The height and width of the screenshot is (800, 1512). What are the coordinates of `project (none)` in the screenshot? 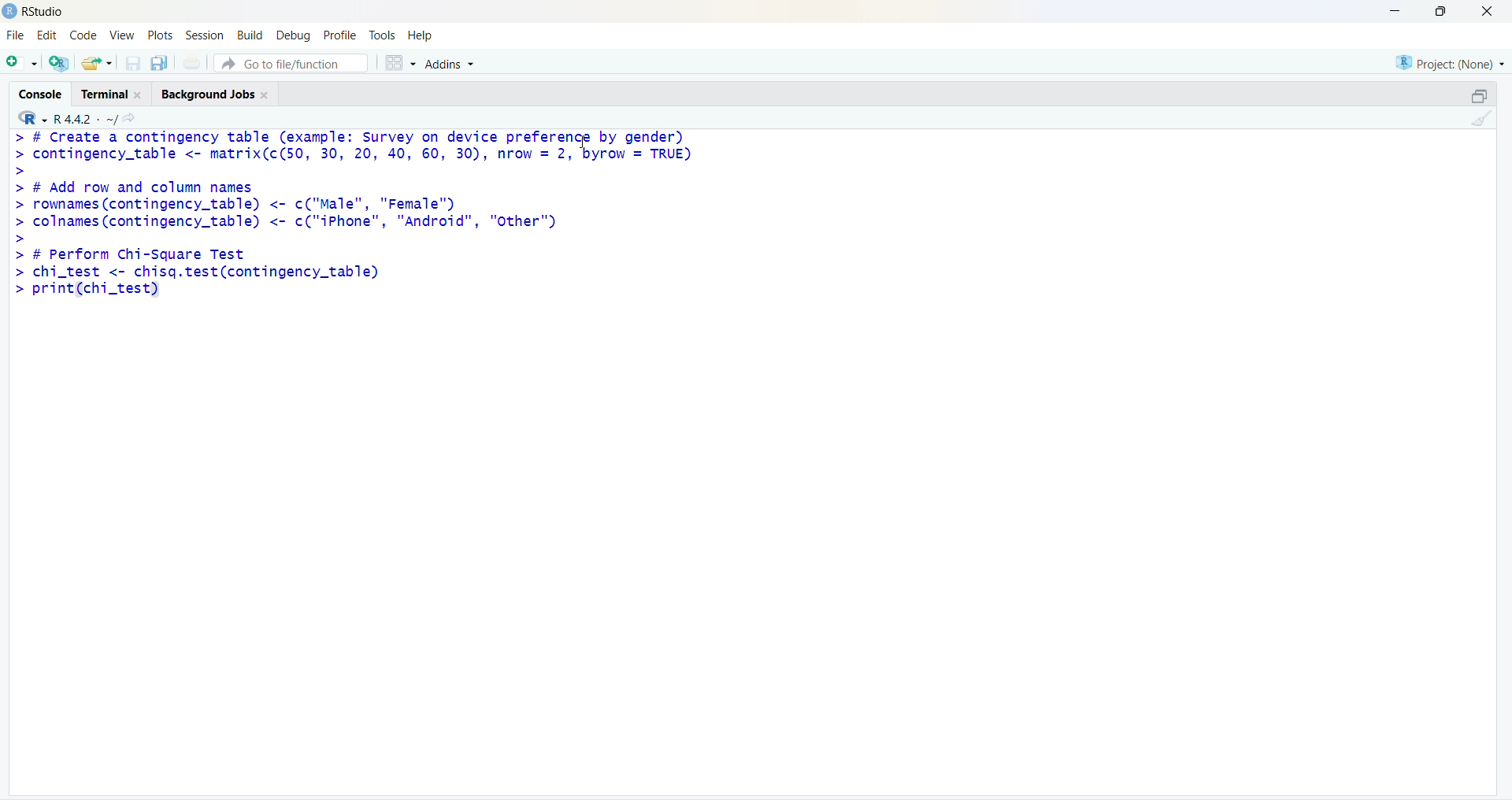 It's located at (1450, 64).